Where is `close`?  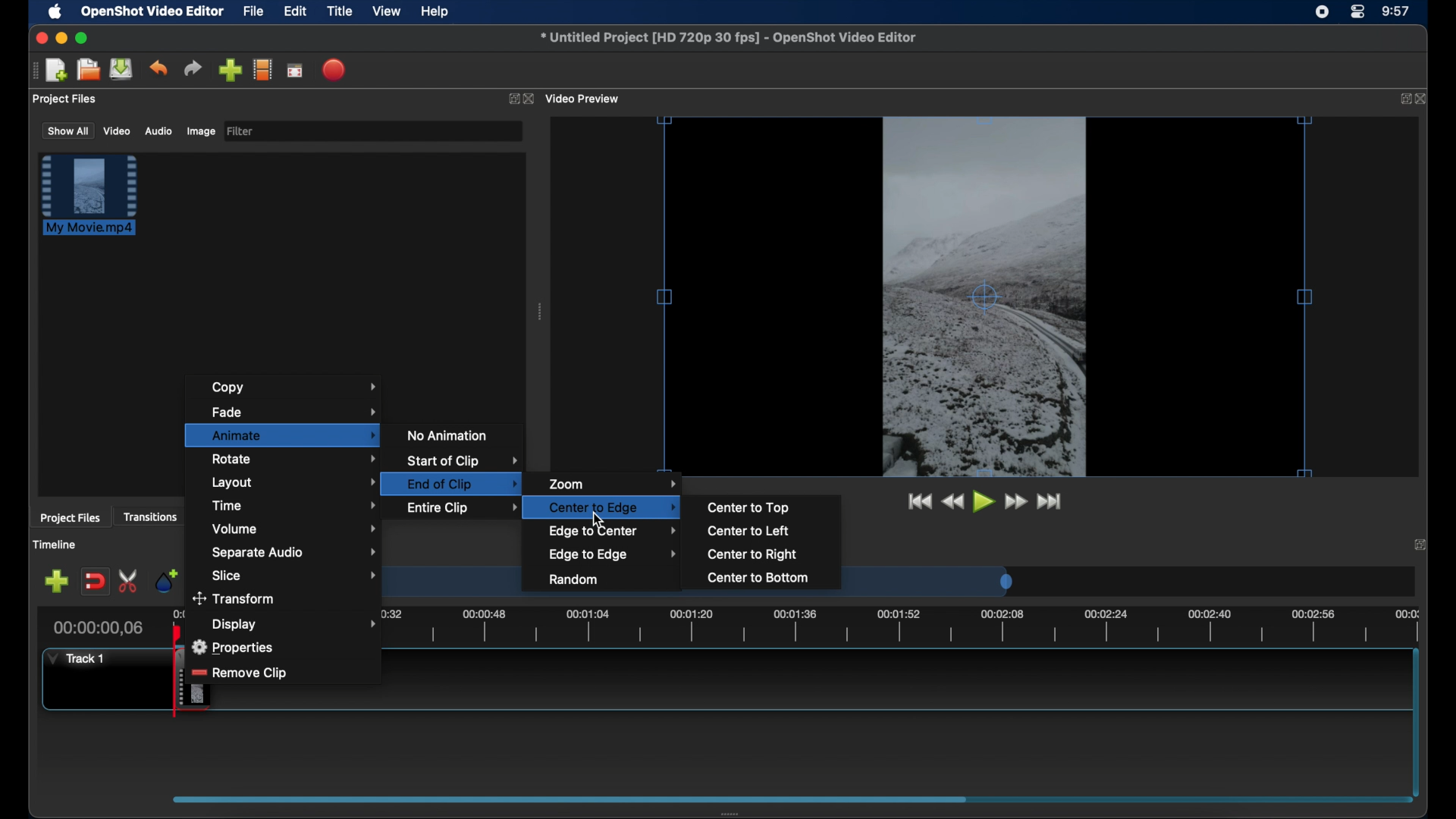
close is located at coordinates (531, 99).